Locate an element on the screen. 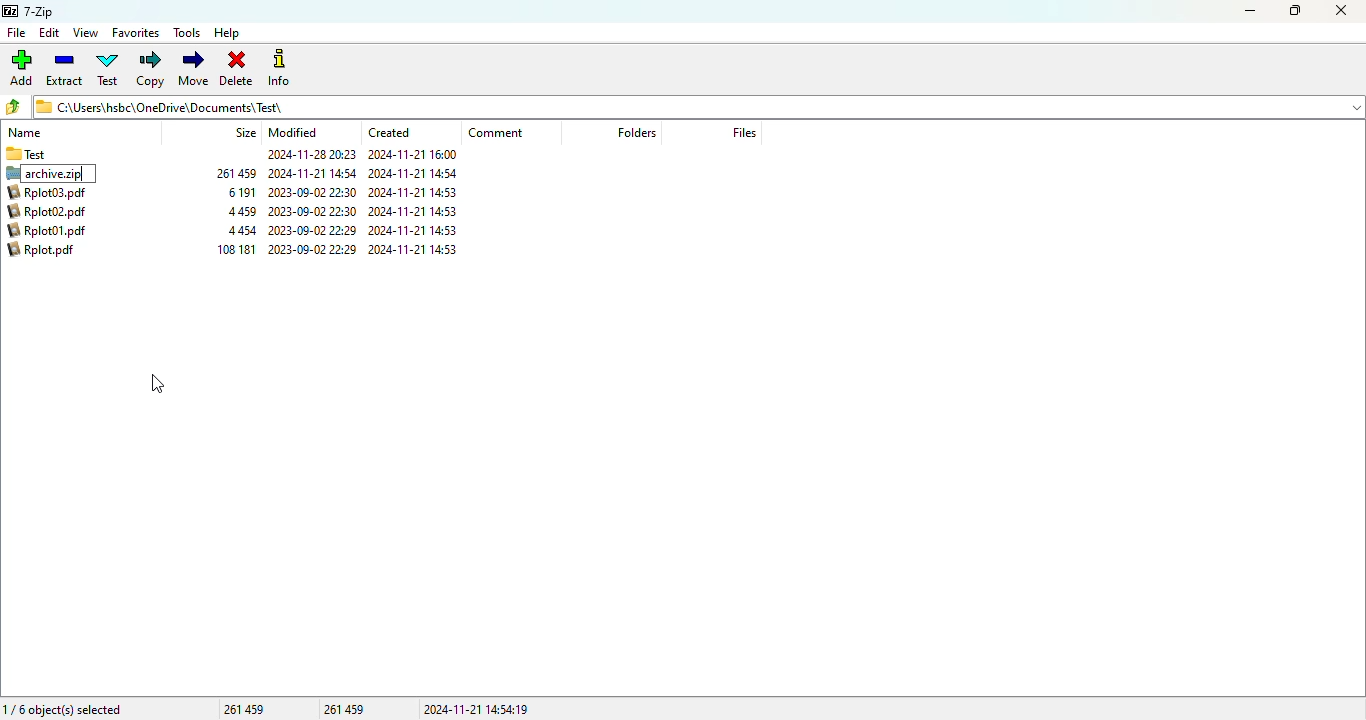 The image size is (1366, 720). move is located at coordinates (194, 68).